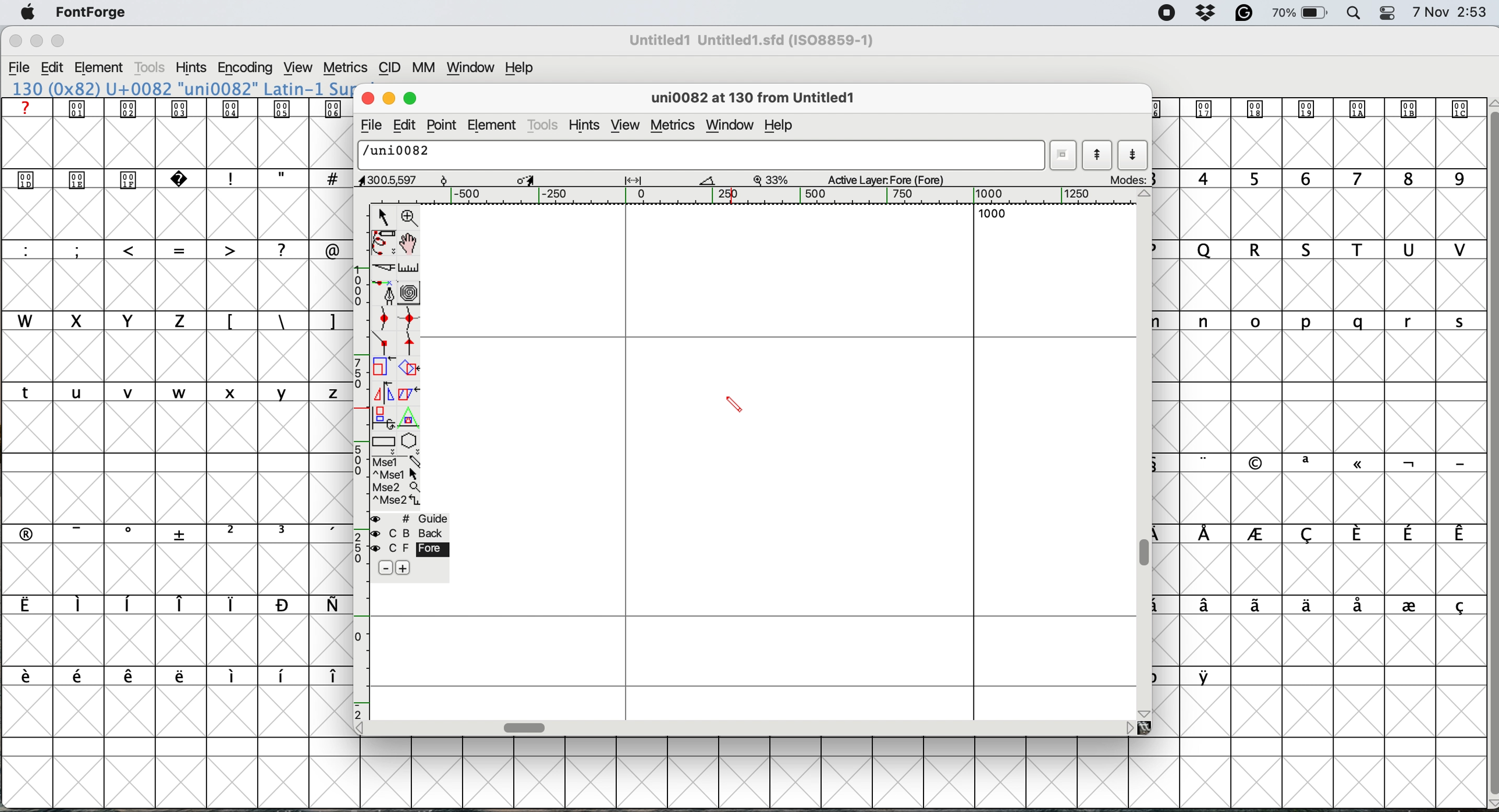 This screenshot has width=1499, height=812. Describe the element at coordinates (755, 40) in the screenshot. I see `Untitled1 Untitled1.sfd (ISO8859-1)` at that location.